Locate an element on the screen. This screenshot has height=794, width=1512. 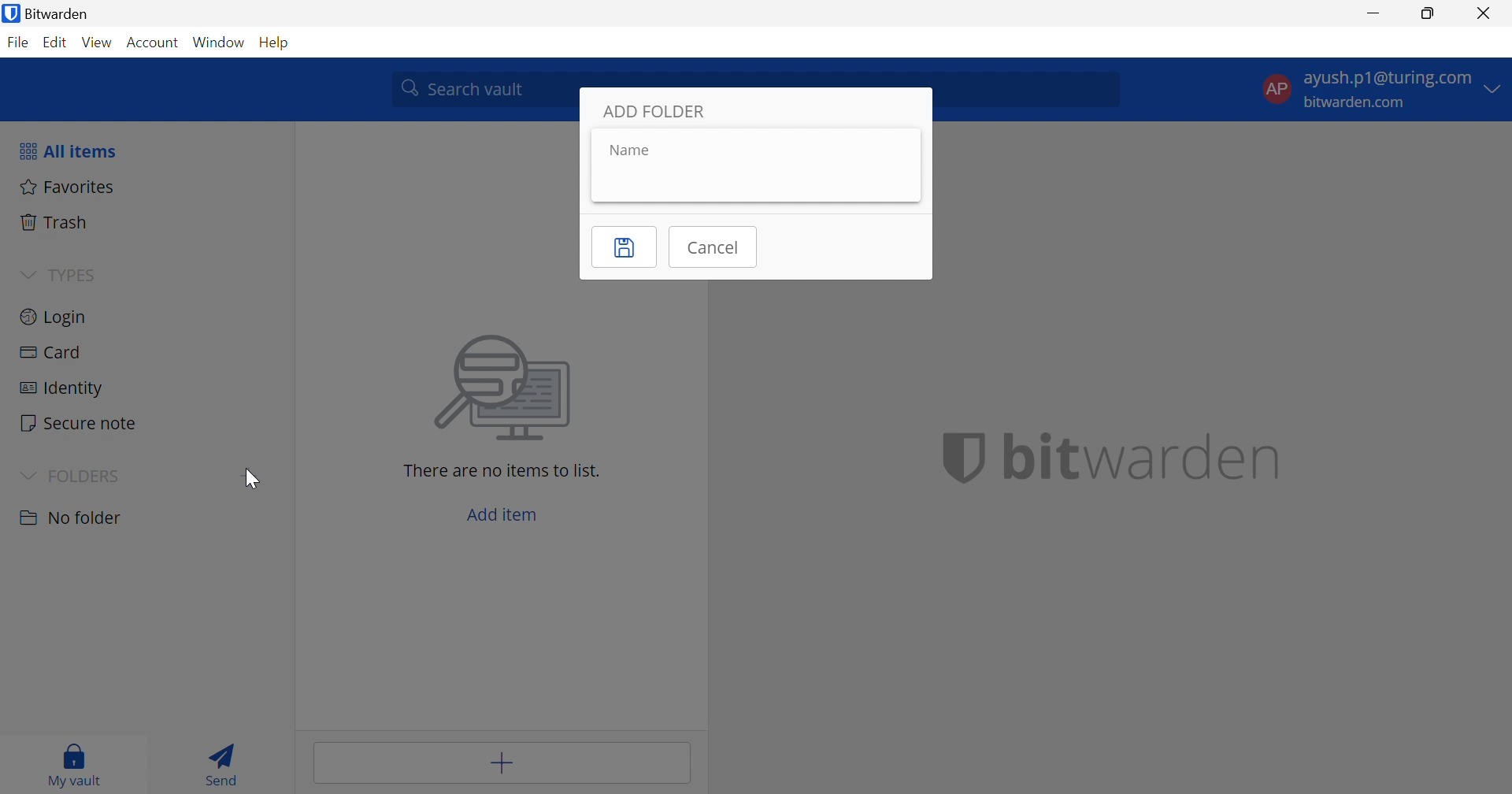
Account is located at coordinates (153, 43).